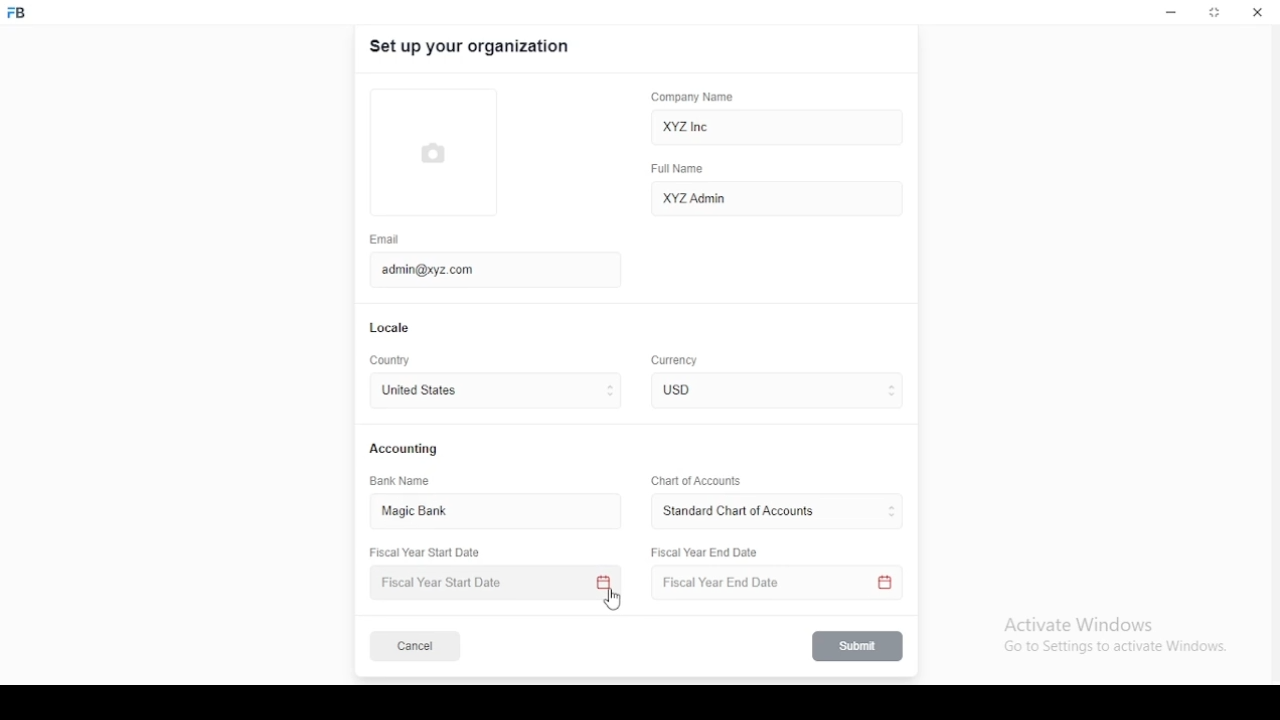 The height and width of the screenshot is (720, 1280). Describe the element at coordinates (485, 268) in the screenshot. I see `admin@xyz.com` at that location.